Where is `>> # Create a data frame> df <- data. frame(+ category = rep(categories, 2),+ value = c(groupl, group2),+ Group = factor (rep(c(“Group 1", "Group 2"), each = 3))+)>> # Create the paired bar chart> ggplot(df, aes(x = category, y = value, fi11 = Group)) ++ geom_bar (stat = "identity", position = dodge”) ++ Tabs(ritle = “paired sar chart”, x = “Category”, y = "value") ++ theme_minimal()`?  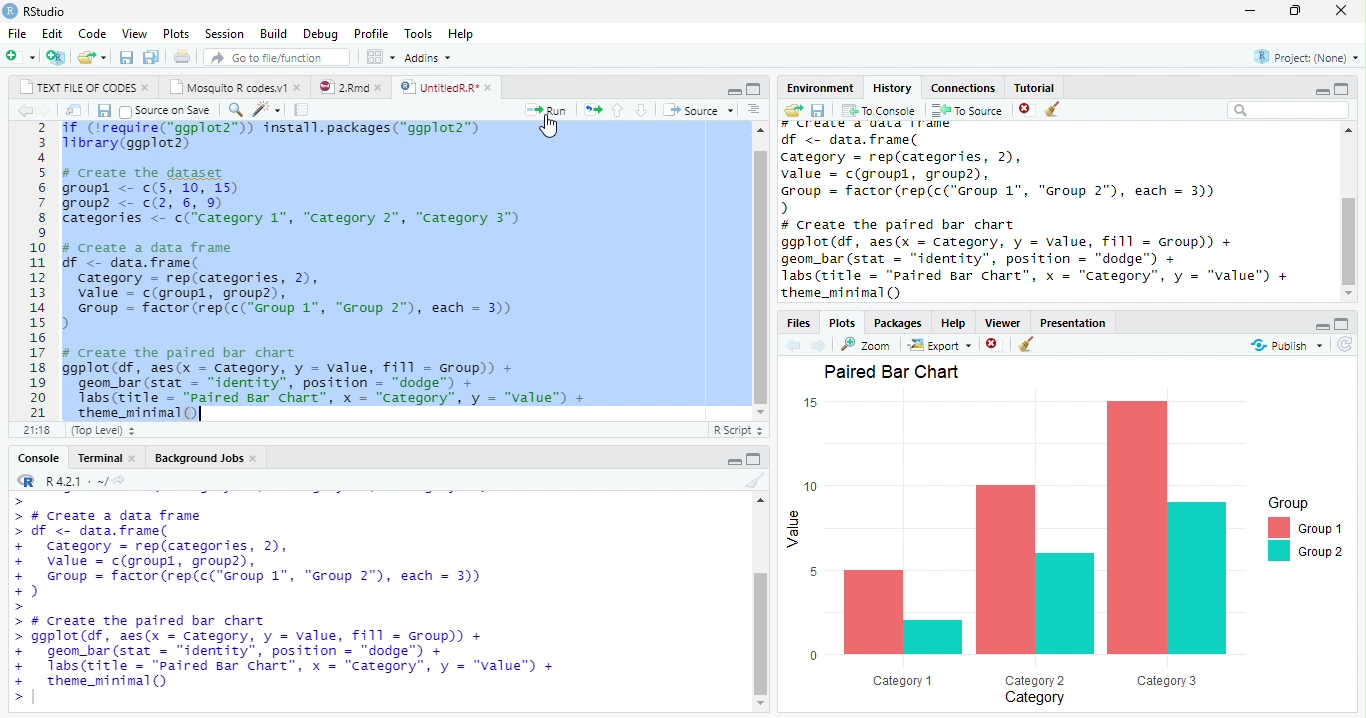
>> # Create a data frame> df <- data. frame(+ category = rep(categories, 2),+ value = c(groupl, group2),+ Group = factor (rep(c(“Group 1", "Group 2"), each = 3))+)>> # Create the paired bar chart> ggplot(df, aes(x = category, y = value, fi11 = Group)) ++ geom_bar (stat = "identity", position = dodge”) ++ Tabs(ritle = “paired sar chart”, x = “Category”, y = "value") ++ theme_minimal() is located at coordinates (284, 601).